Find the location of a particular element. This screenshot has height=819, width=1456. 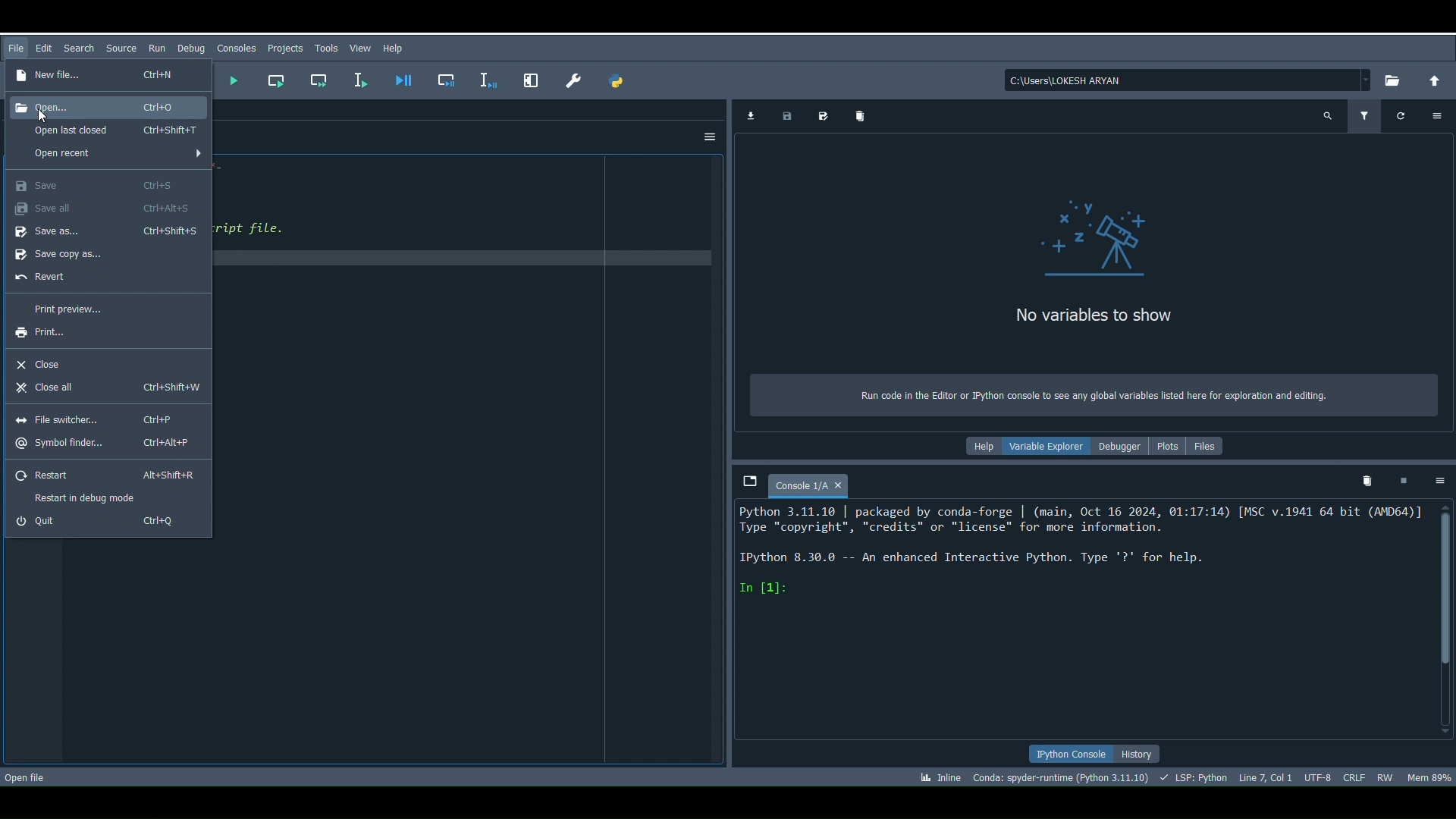

File switcher is located at coordinates (99, 417).